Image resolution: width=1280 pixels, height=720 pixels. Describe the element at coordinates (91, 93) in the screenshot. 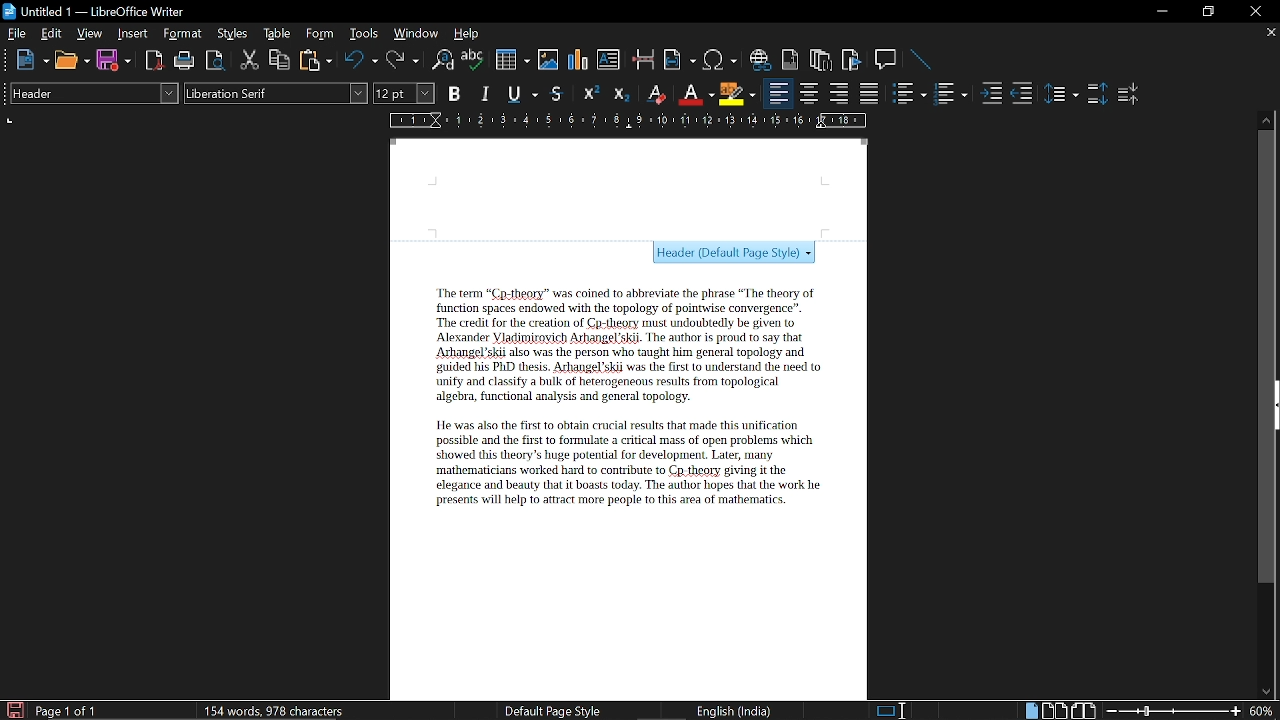

I see `Paragraph style` at that location.